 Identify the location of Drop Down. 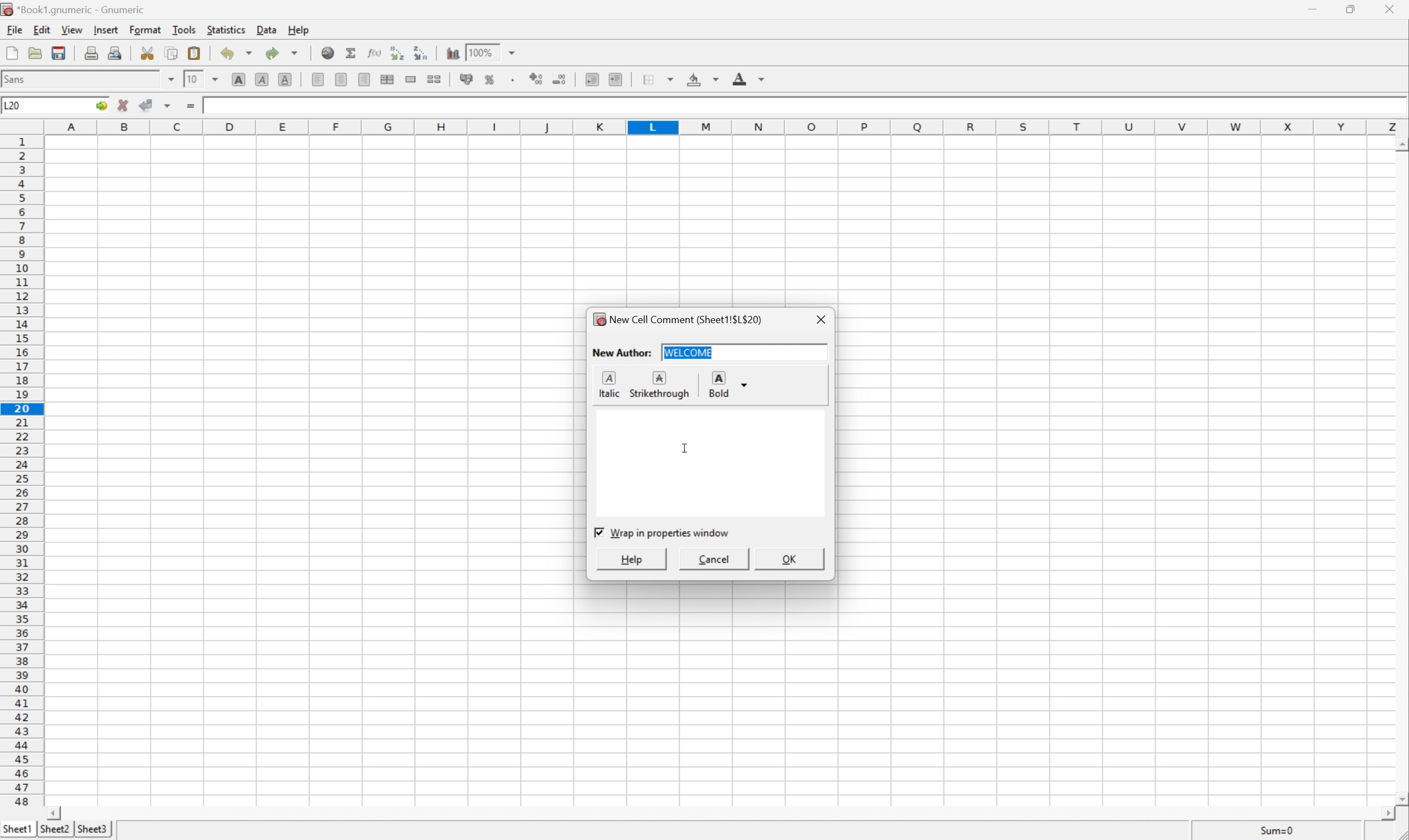
(746, 384).